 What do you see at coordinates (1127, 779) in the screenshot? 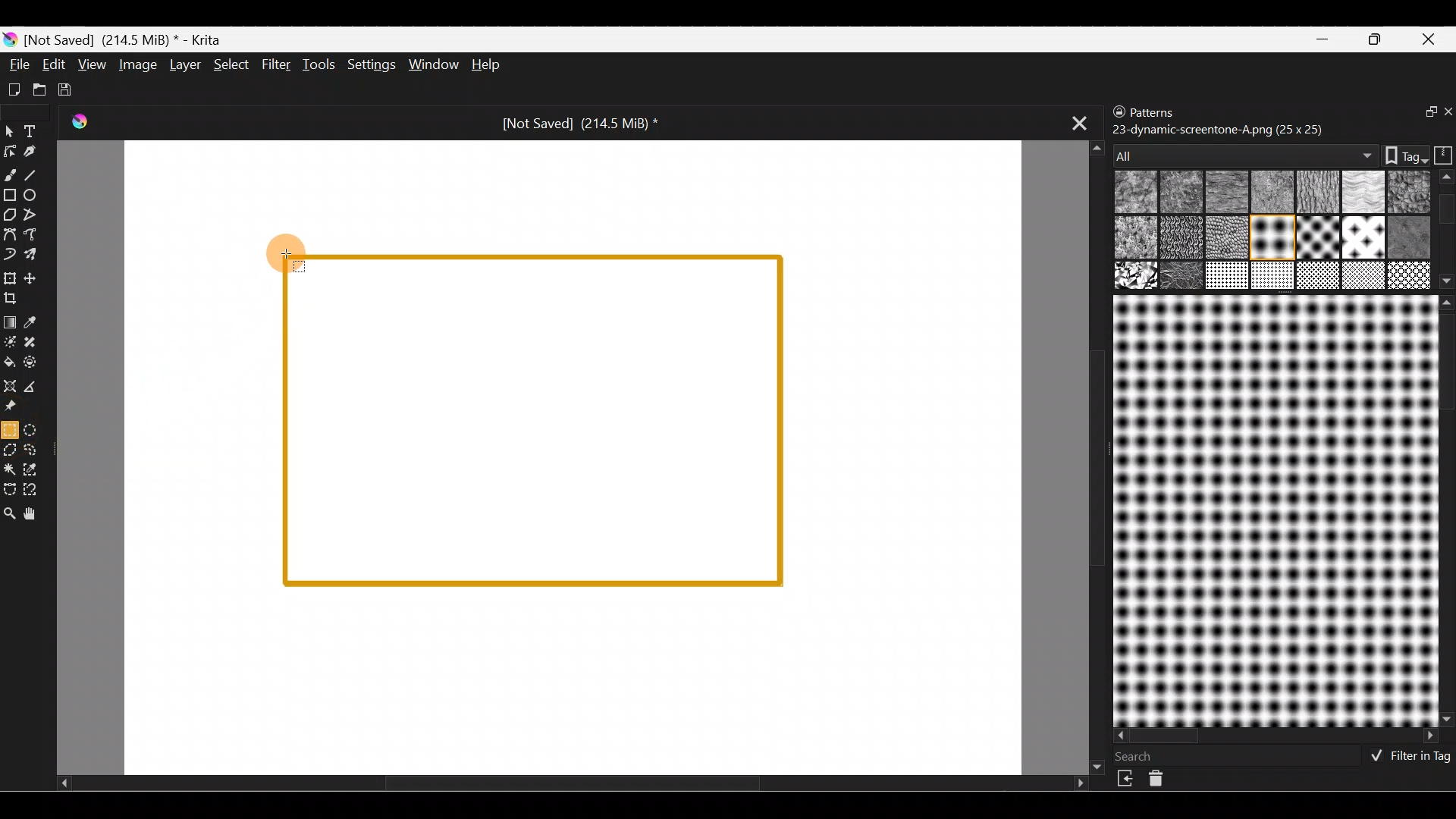
I see `Import resource` at bounding box center [1127, 779].